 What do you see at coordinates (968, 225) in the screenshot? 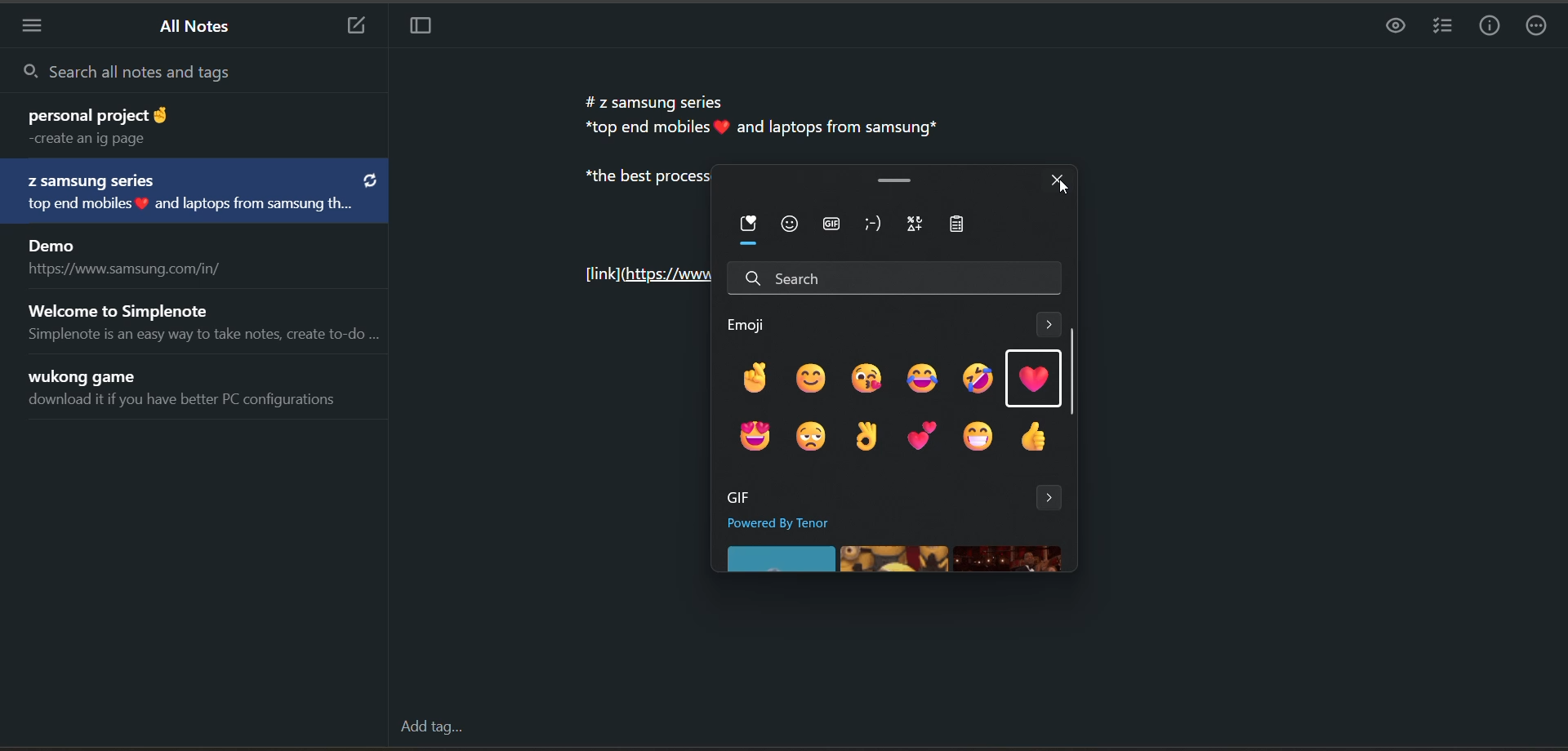
I see `clipboard history` at bounding box center [968, 225].